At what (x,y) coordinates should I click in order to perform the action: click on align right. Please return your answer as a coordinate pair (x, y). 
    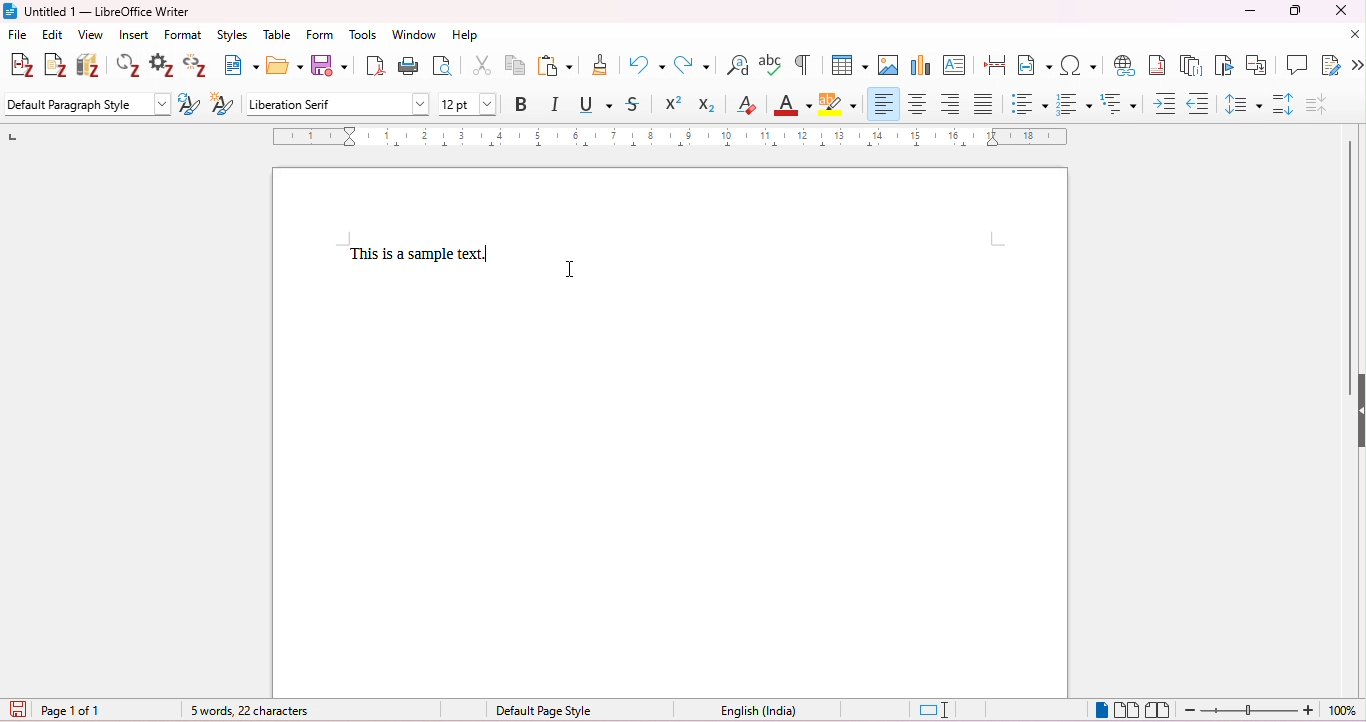
    Looking at the image, I should click on (949, 104).